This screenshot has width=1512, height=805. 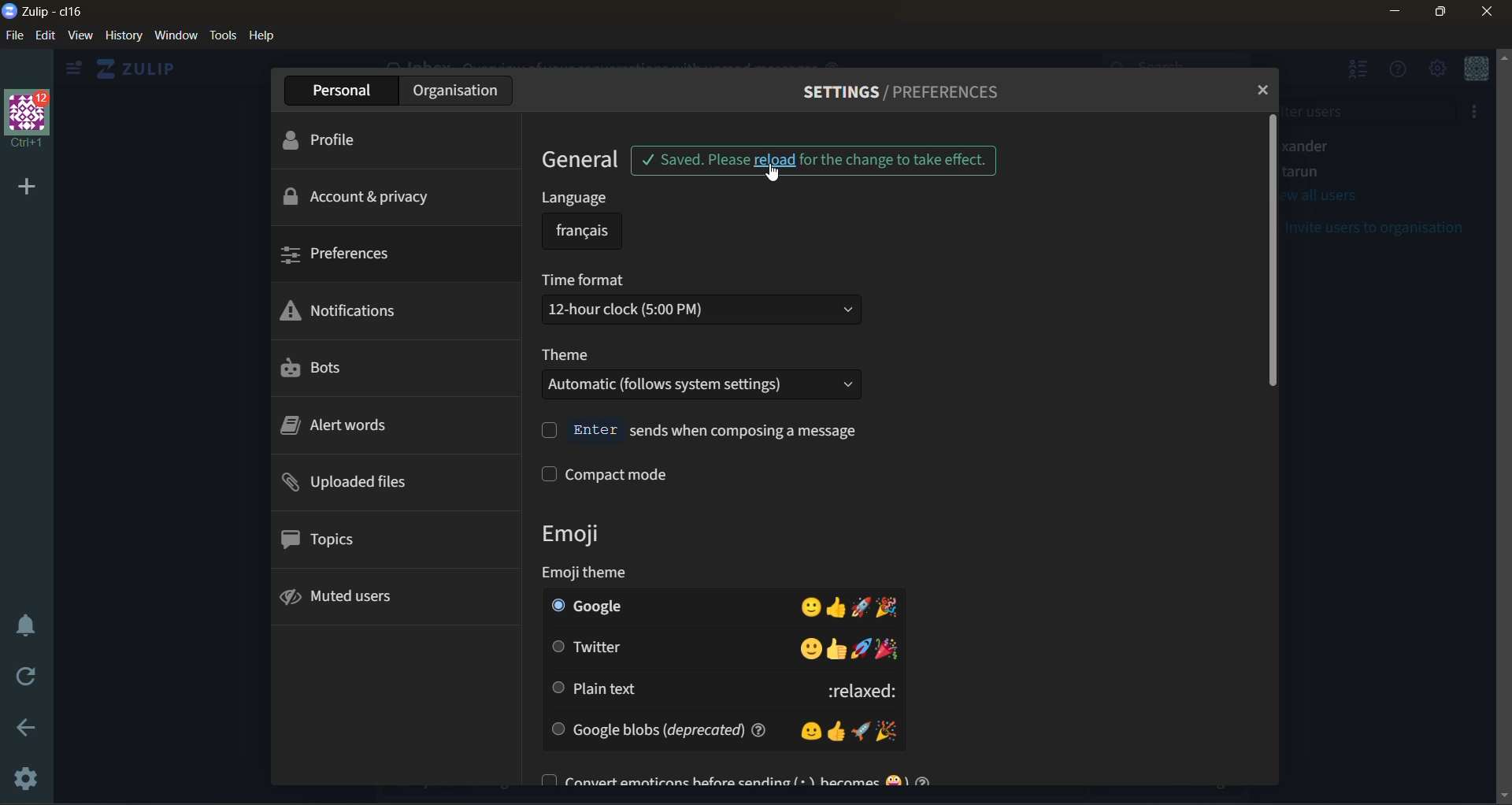 I want to click on bots, so click(x=317, y=366).